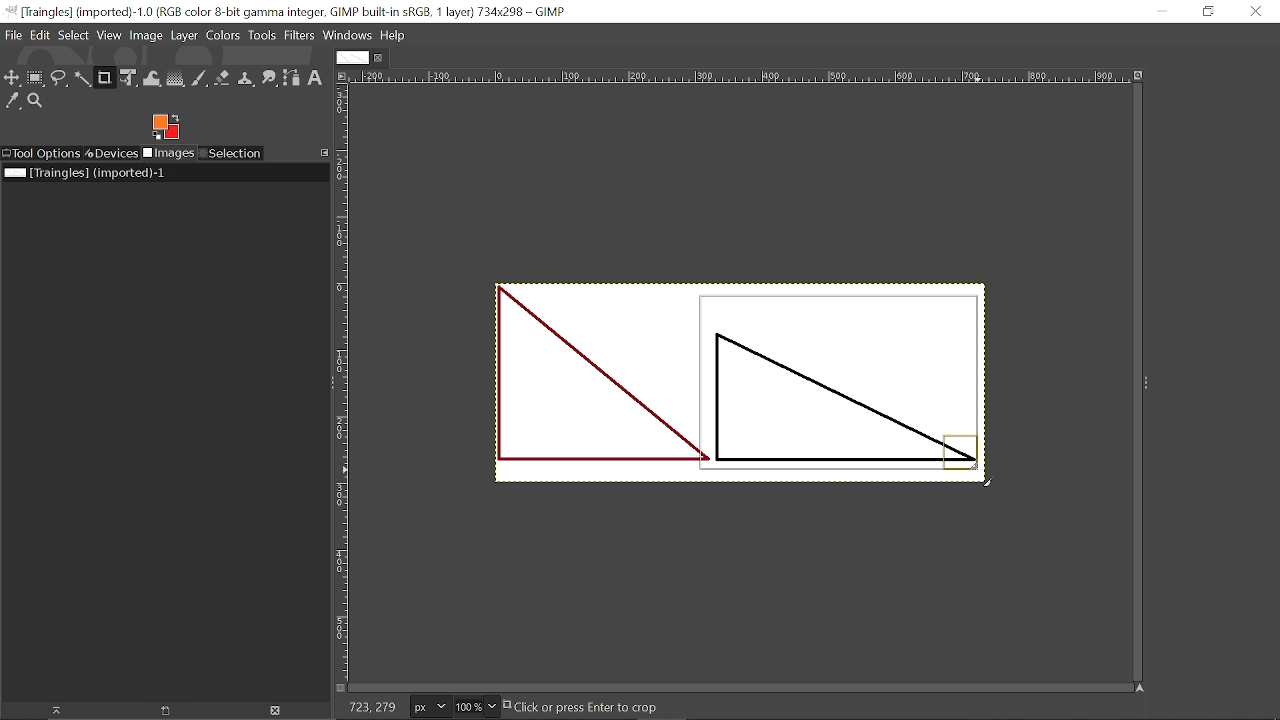 The width and height of the screenshot is (1280, 720). What do you see at coordinates (392, 35) in the screenshot?
I see `Help` at bounding box center [392, 35].